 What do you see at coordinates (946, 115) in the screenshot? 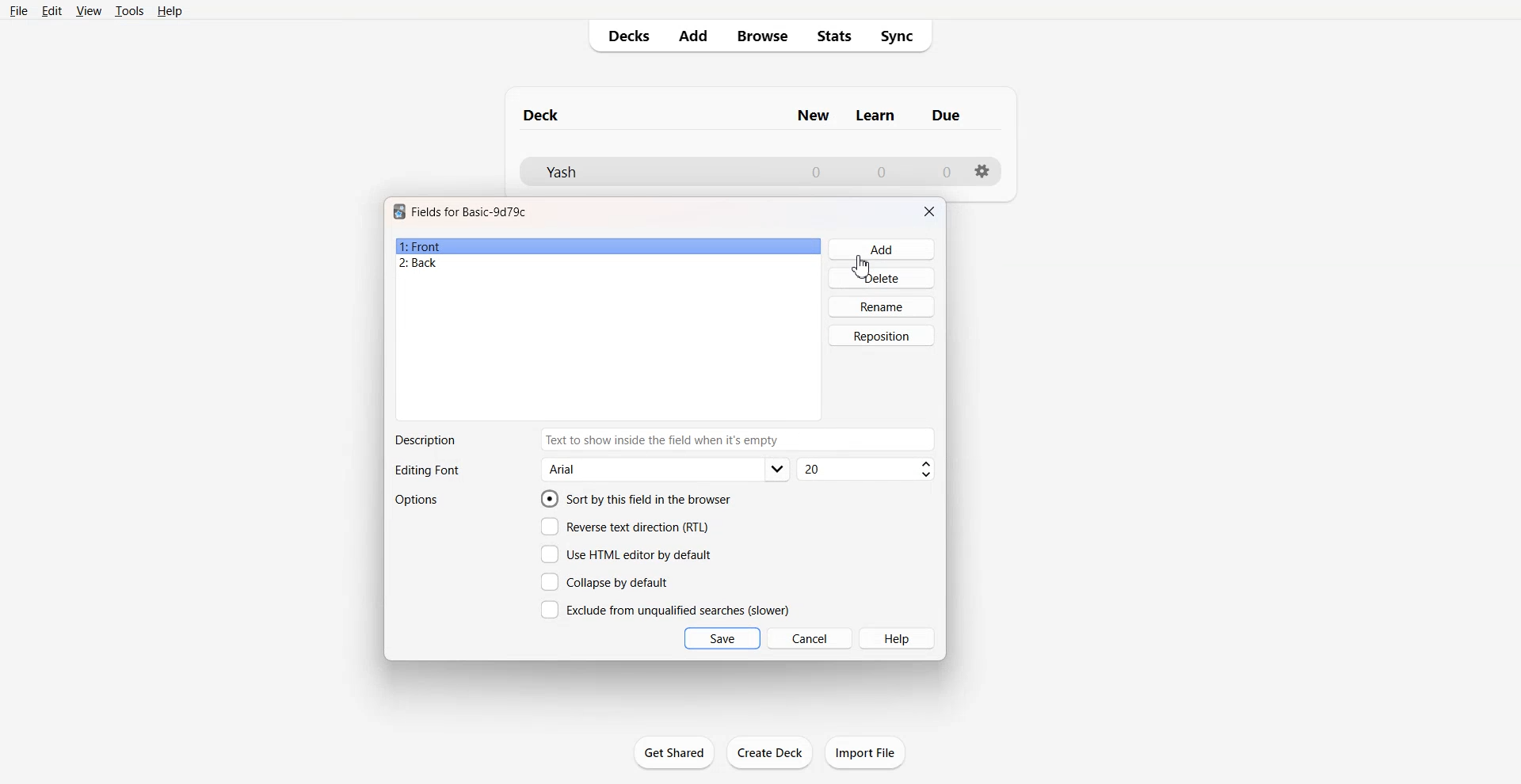
I see `Column name` at bounding box center [946, 115].